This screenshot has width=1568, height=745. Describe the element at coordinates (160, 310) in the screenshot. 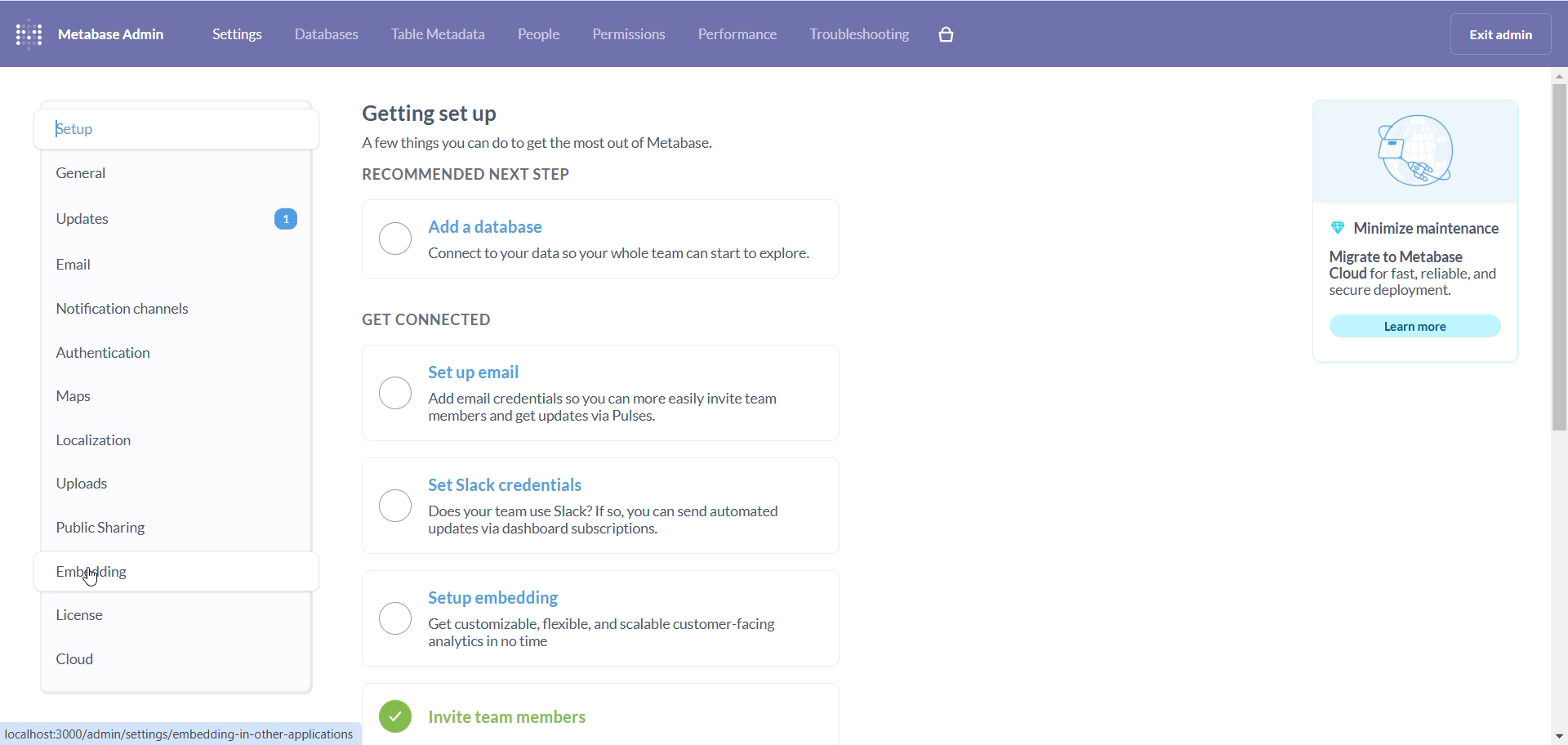

I see `notification channel` at that location.